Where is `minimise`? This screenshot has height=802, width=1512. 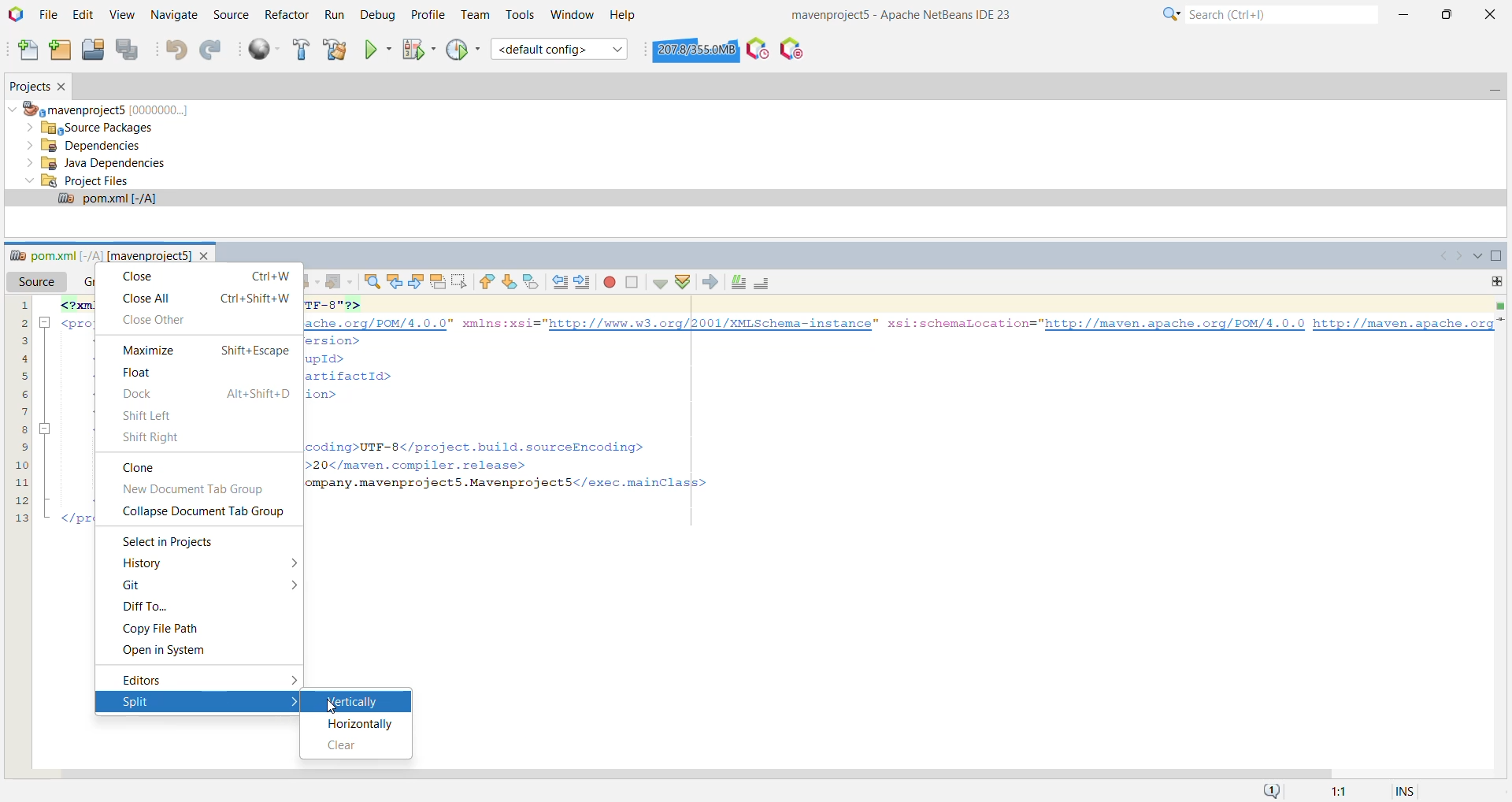
minimise is located at coordinates (46, 323).